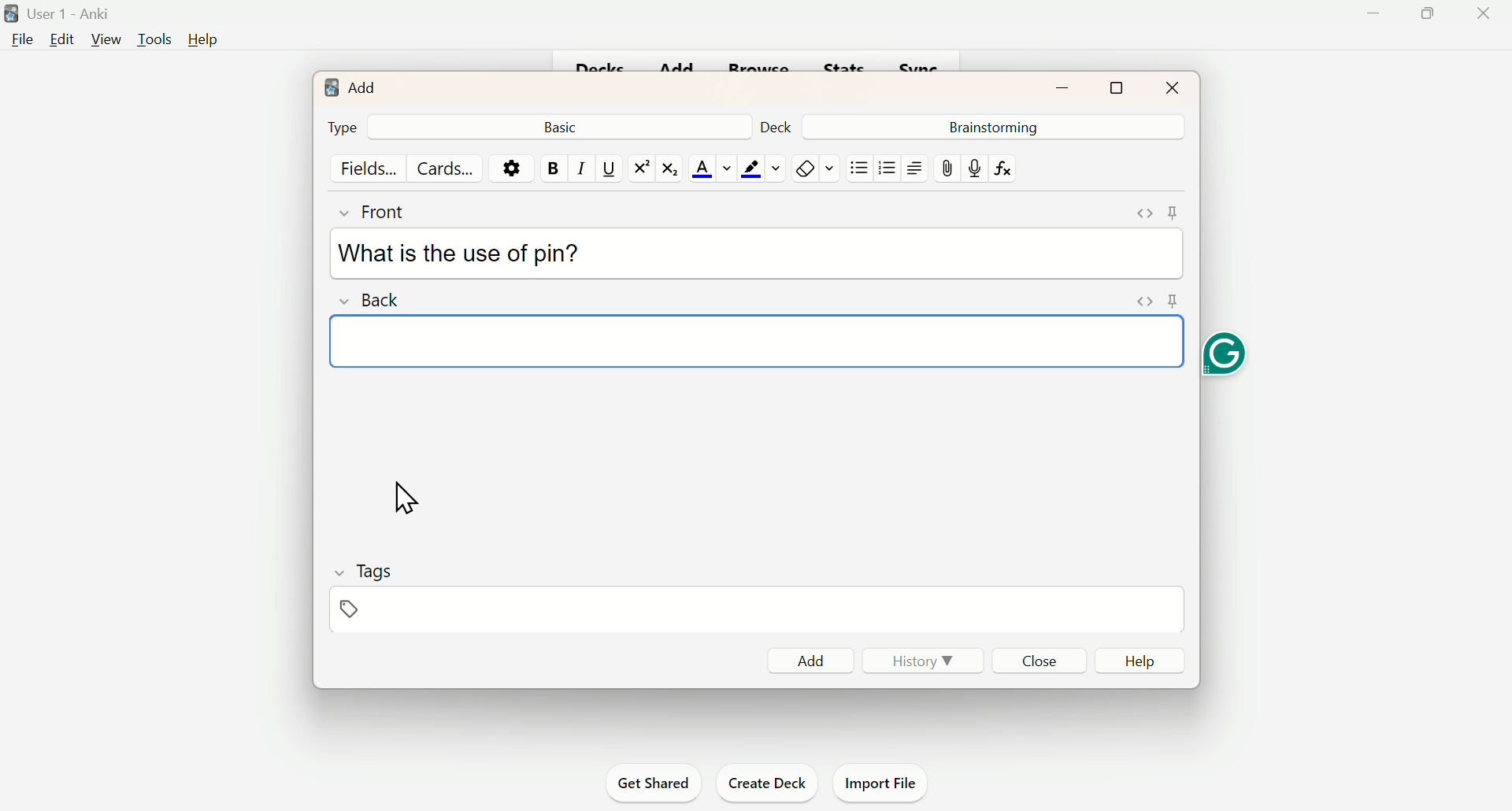  I want to click on , so click(832, 168).